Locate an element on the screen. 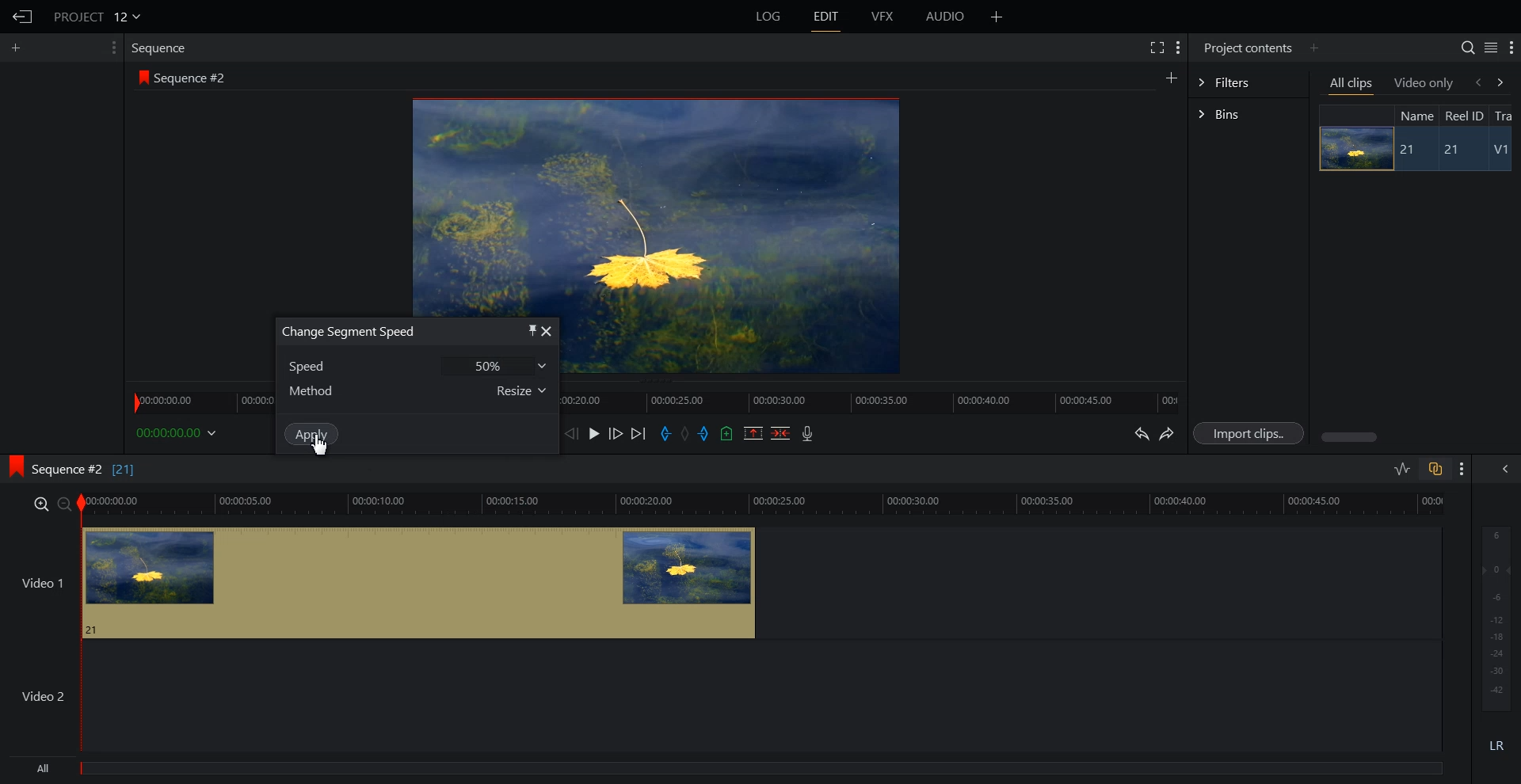  Resize is located at coordinates (517, 394).